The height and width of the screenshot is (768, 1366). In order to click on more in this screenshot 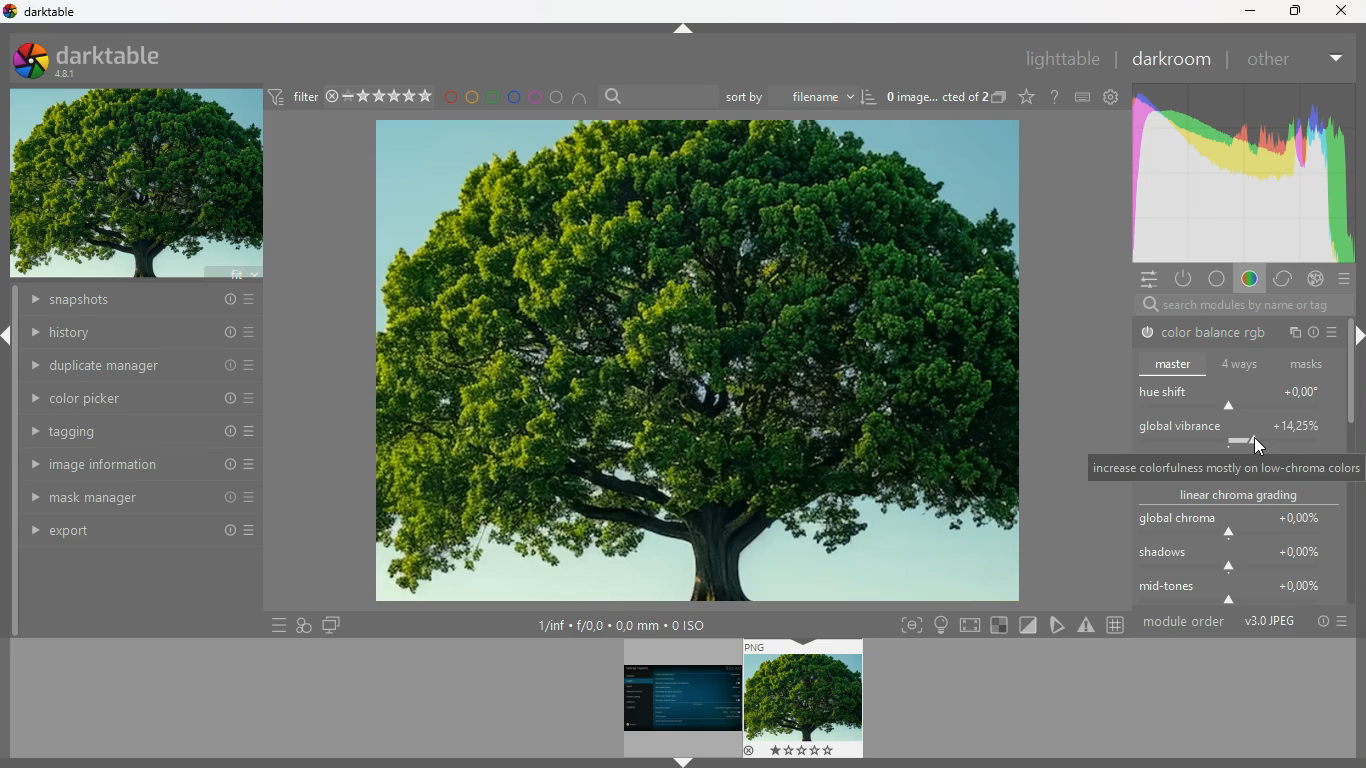, I will do `click(1335, 331)`.